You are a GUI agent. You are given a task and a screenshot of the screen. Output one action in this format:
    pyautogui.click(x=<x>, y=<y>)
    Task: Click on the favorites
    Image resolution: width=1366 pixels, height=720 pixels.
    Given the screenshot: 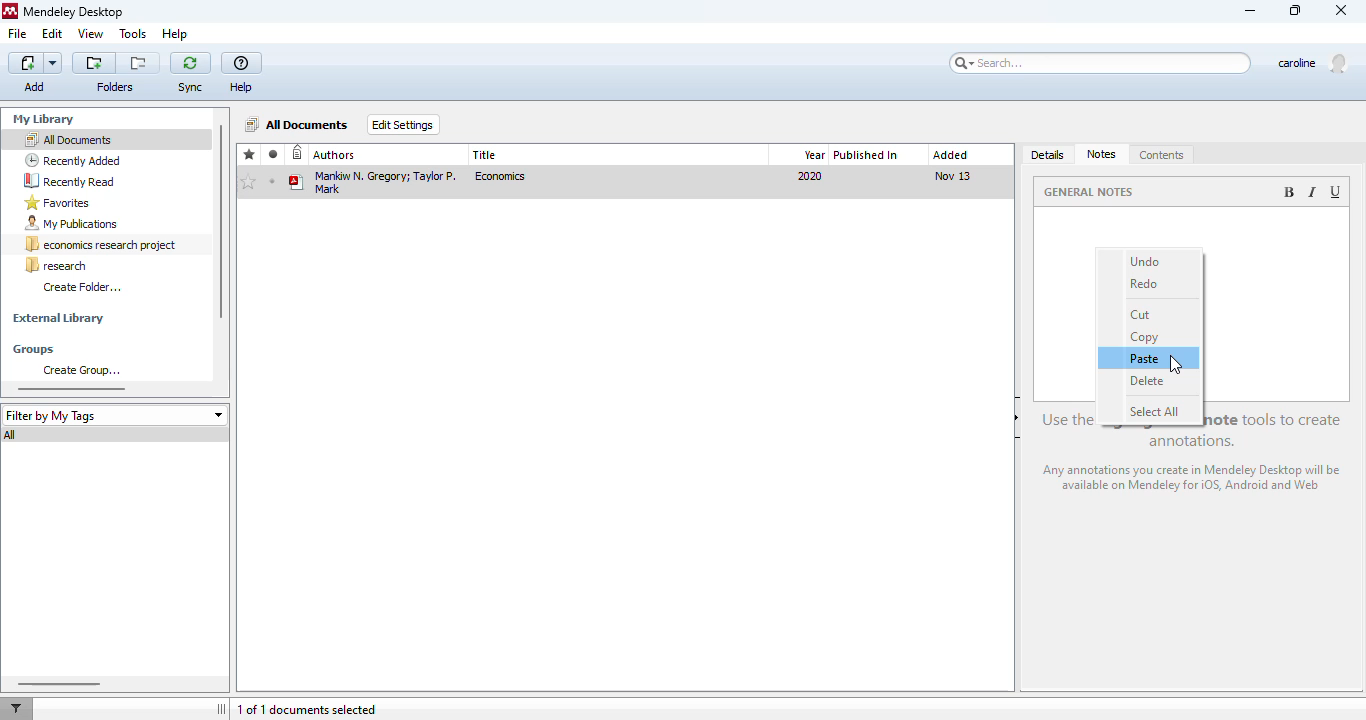 What is the action you would take?
    pyautogui.click(x=58, y=203)
    